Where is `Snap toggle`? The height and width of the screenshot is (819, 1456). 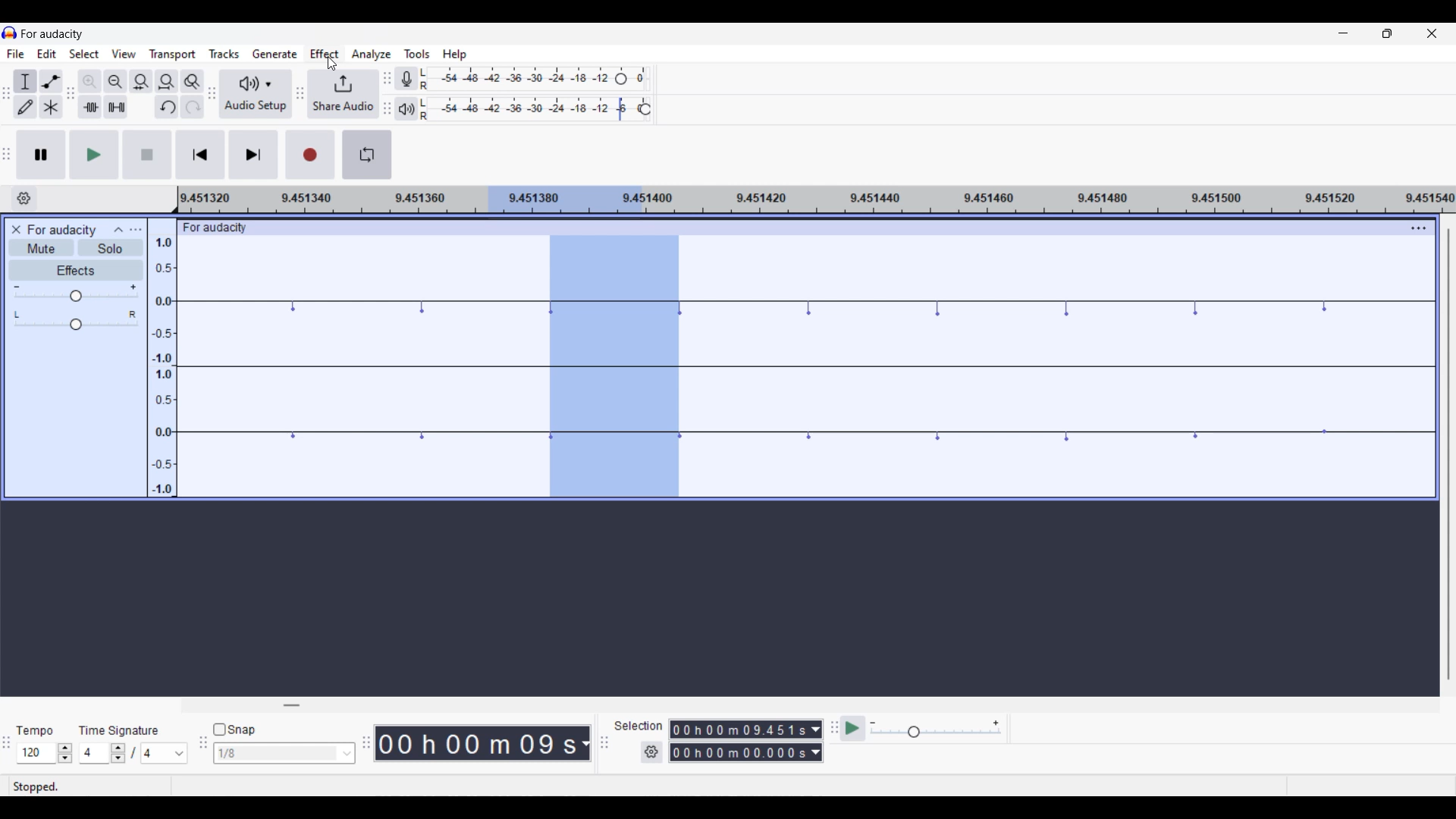 Snap toggle is located at coordinates (234, 729).